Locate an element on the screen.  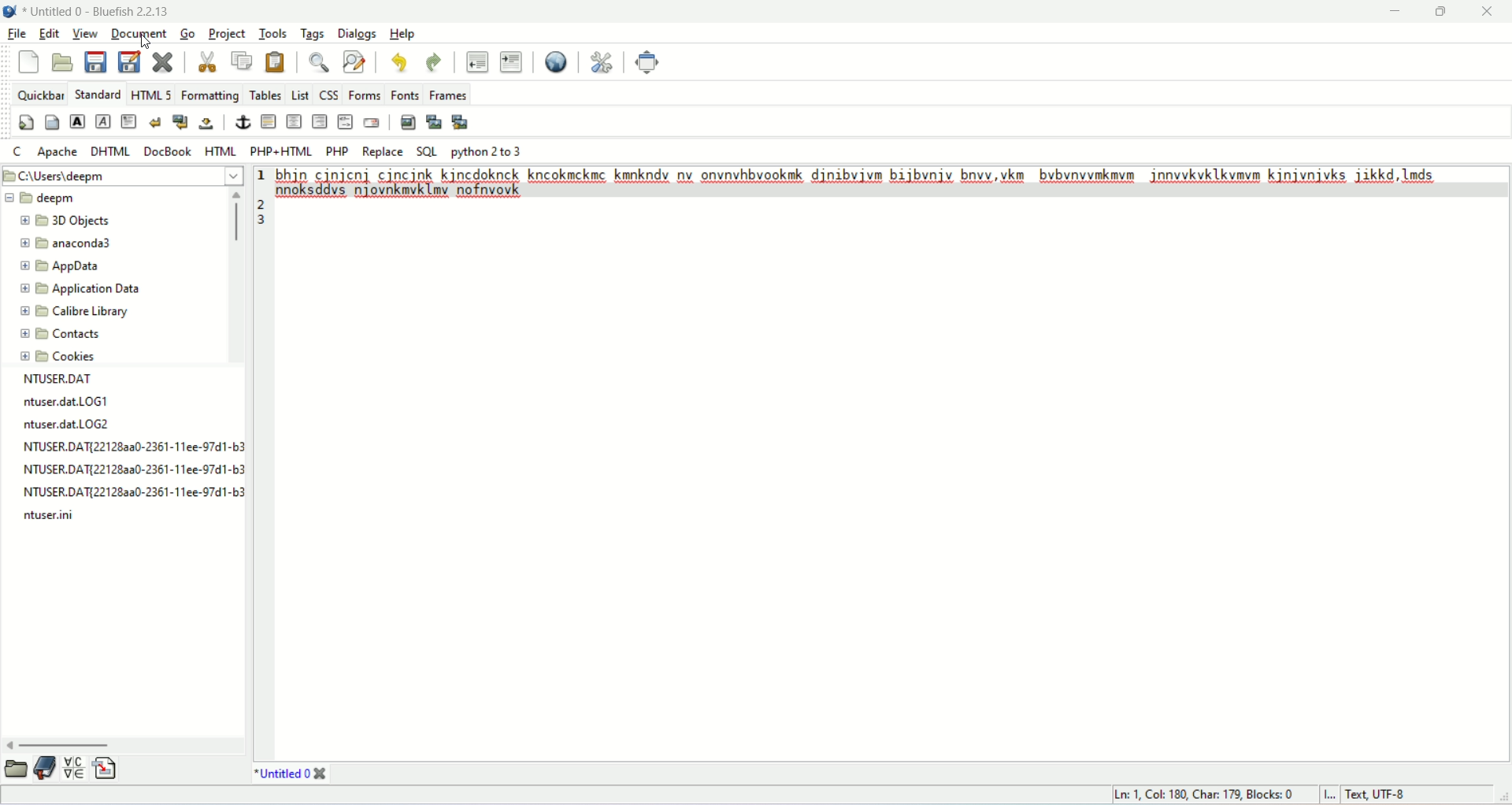
show find bar is located at coordinates (319, 62).